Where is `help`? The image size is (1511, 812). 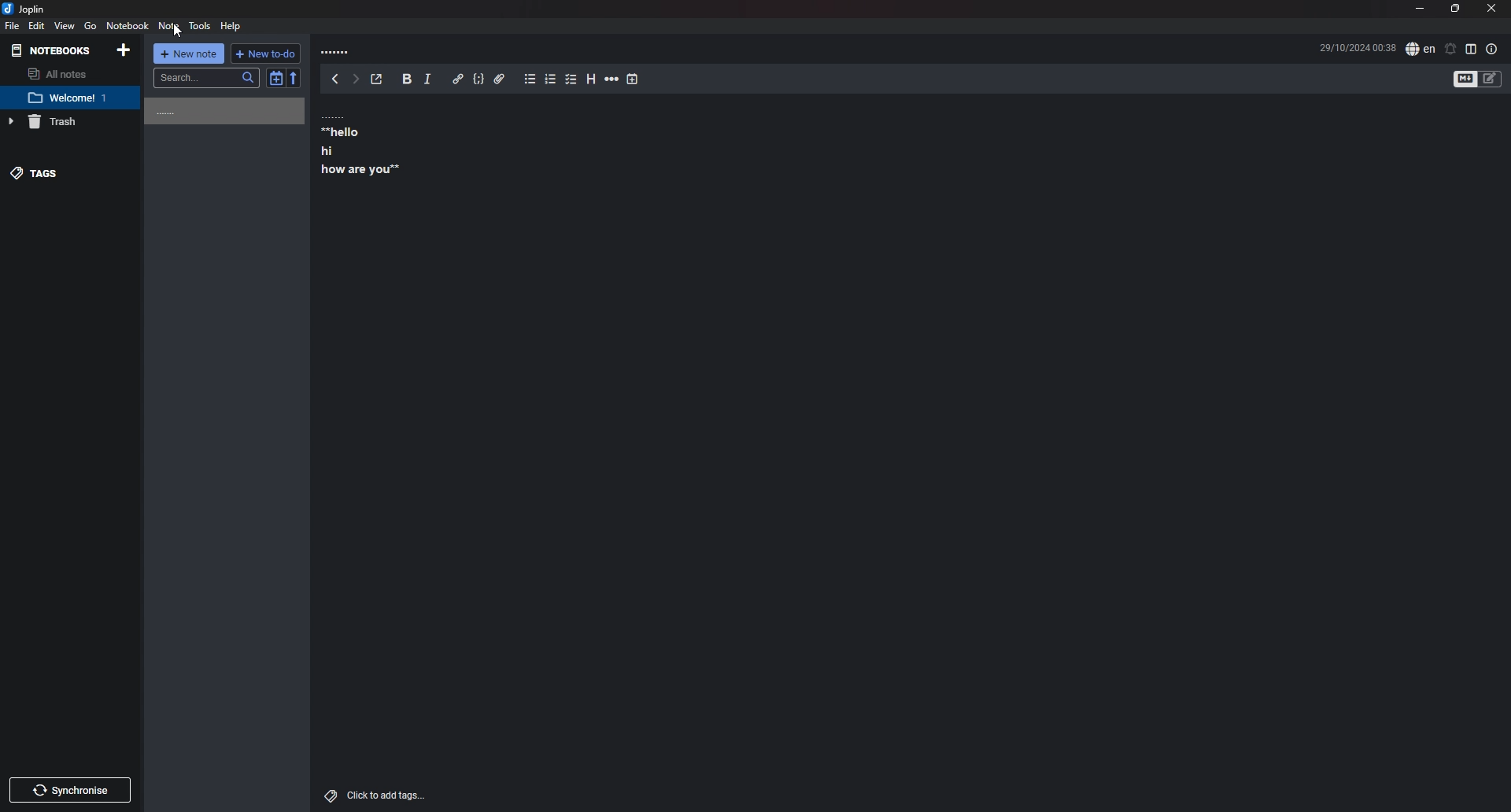
help is located at coordinates (231, 26).